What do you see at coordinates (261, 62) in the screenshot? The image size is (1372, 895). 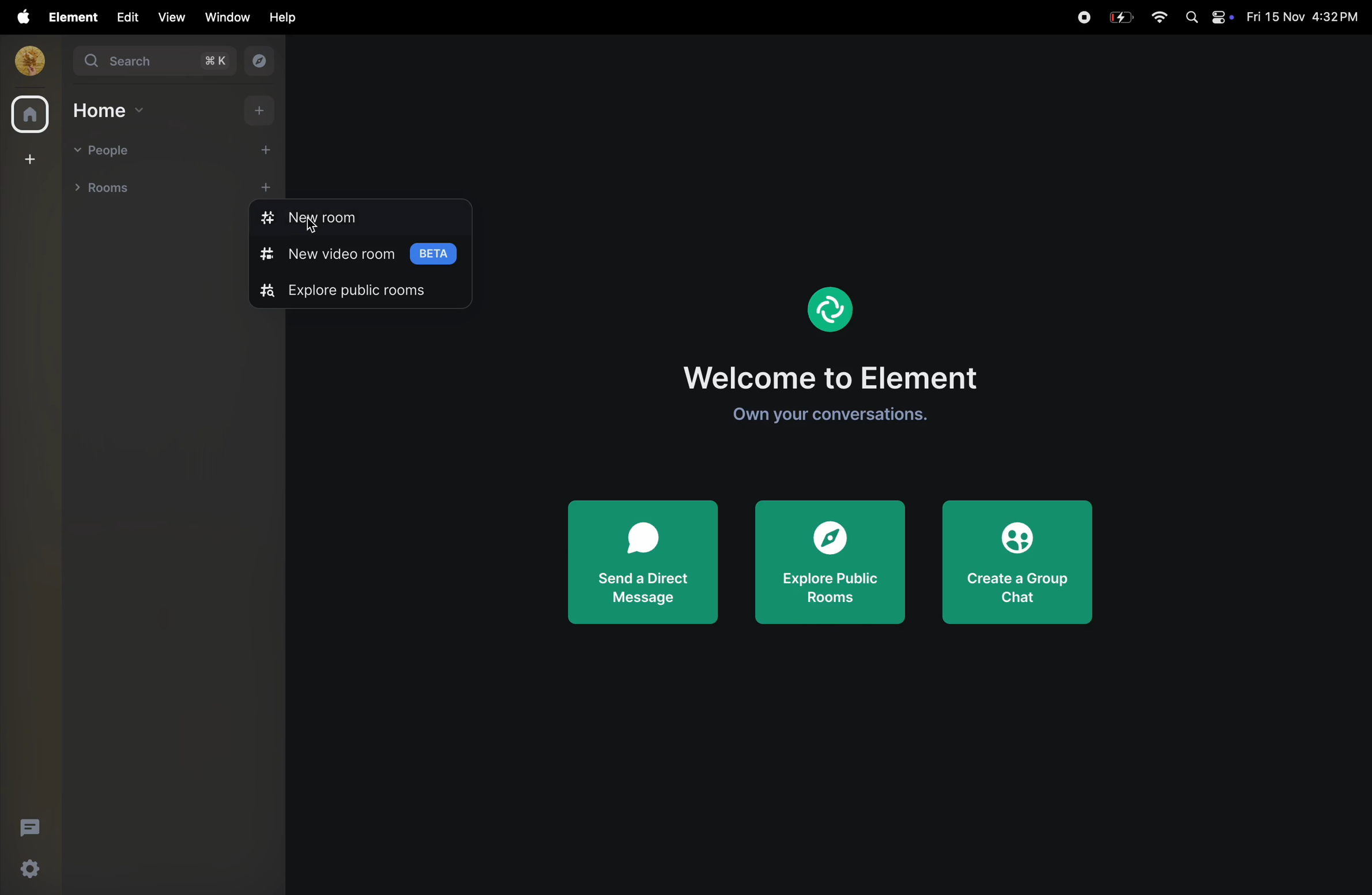 I see `explore` at bounding box center [261, 62].